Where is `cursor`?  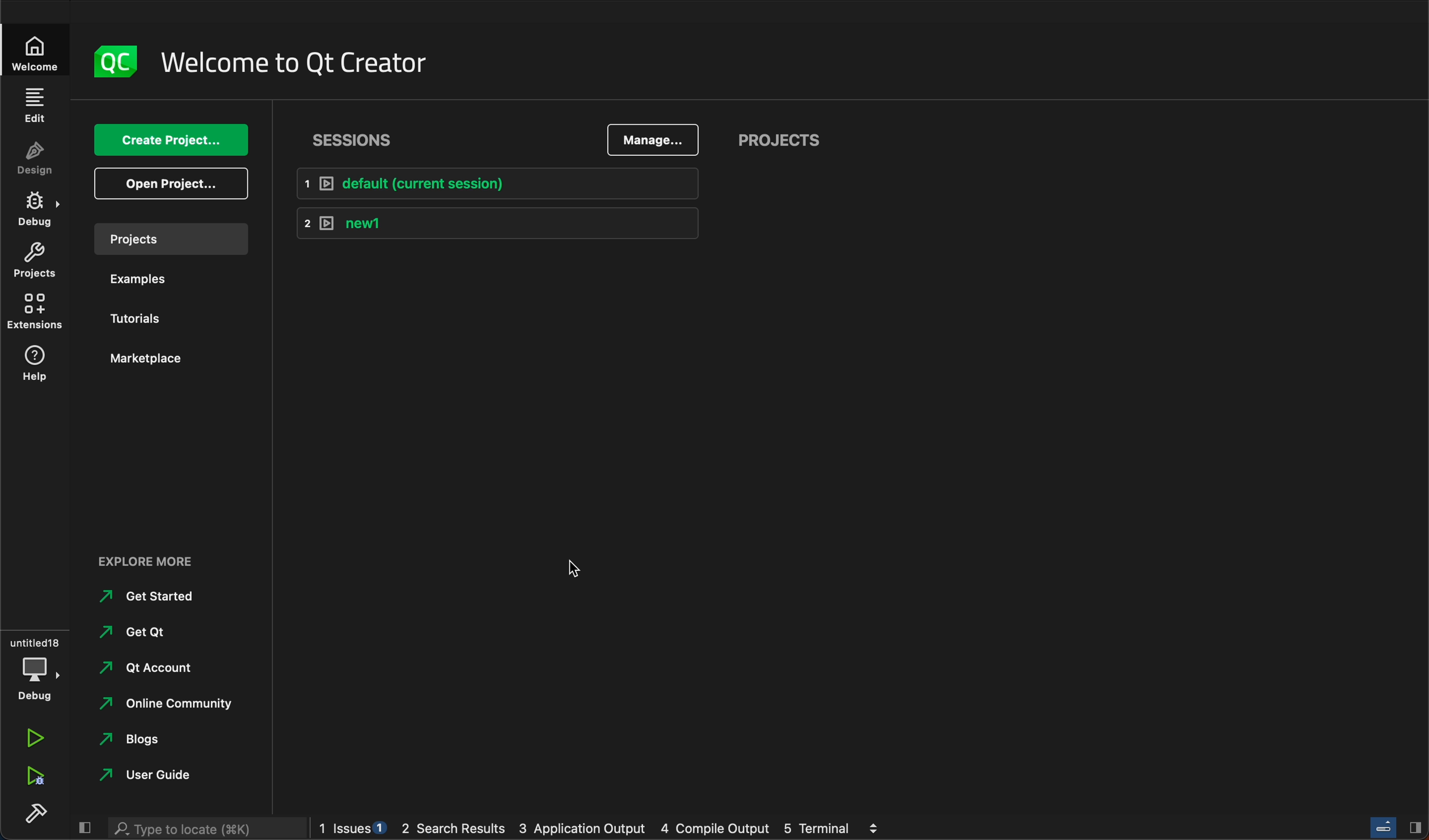
cursor is located at coordinates (572, 566).